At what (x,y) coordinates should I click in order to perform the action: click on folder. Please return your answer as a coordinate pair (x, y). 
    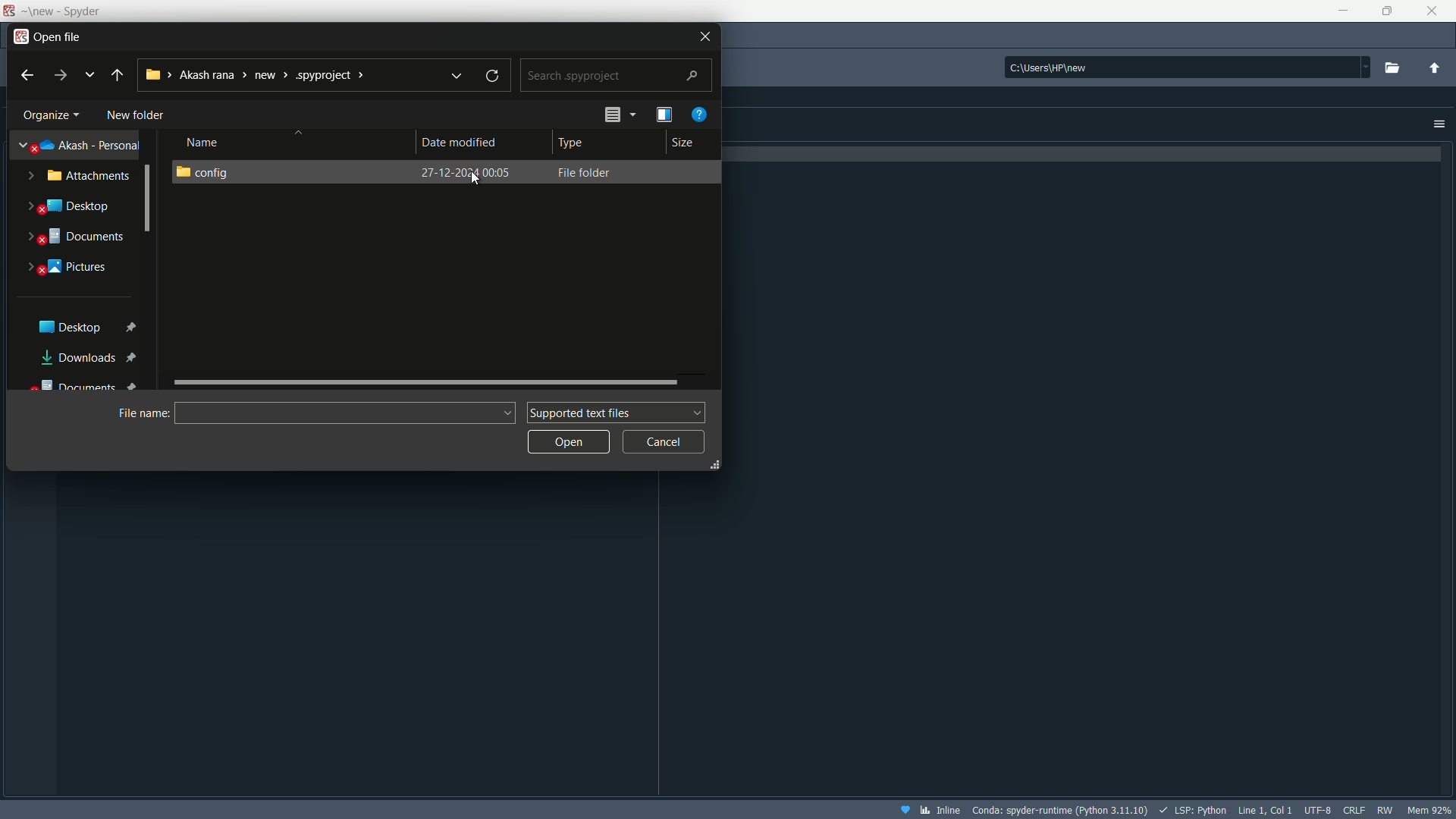
    Looking at the image, I should click on (447, 174).